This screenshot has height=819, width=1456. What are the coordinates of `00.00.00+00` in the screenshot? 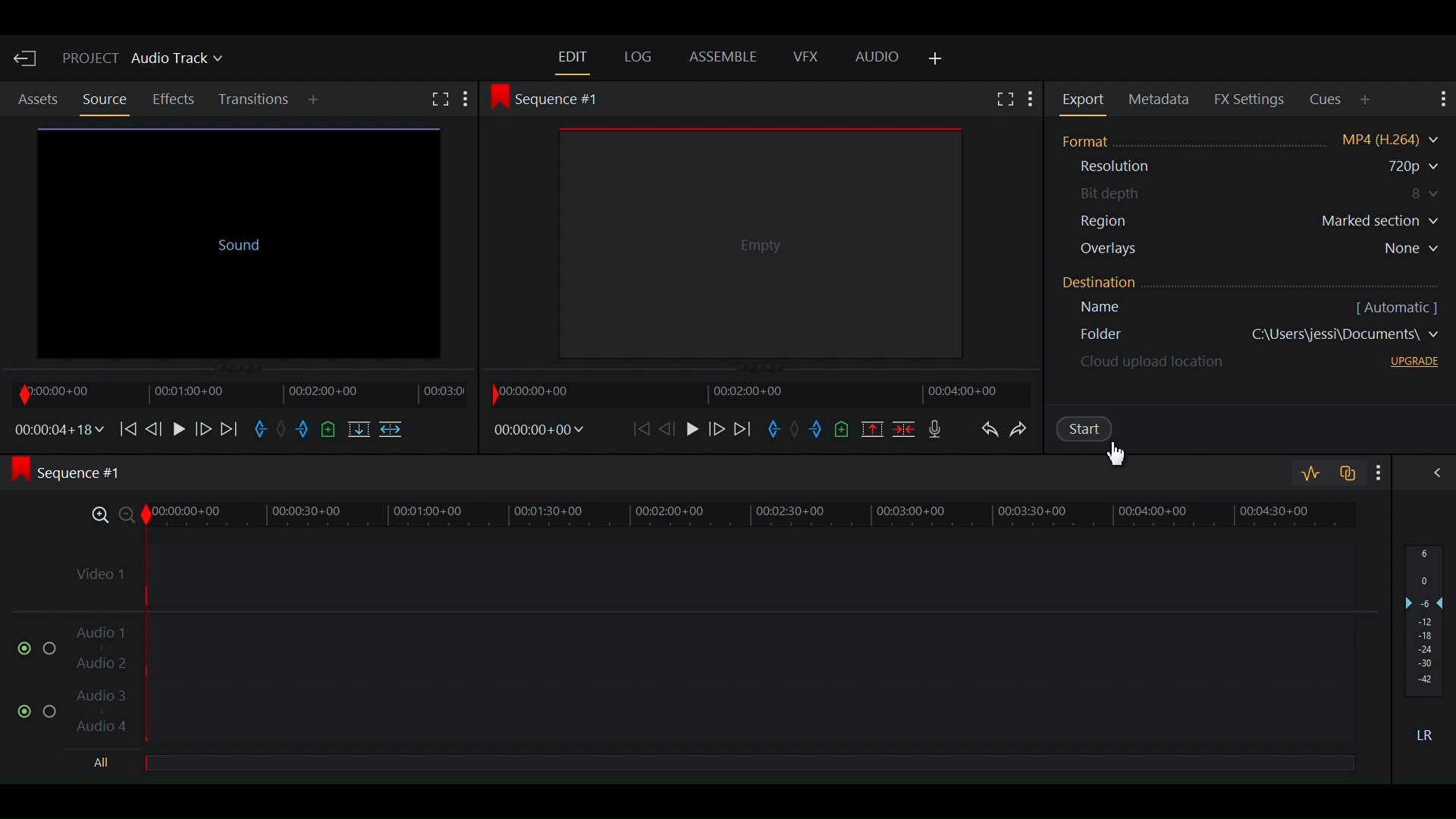 It's located at (538, 430).